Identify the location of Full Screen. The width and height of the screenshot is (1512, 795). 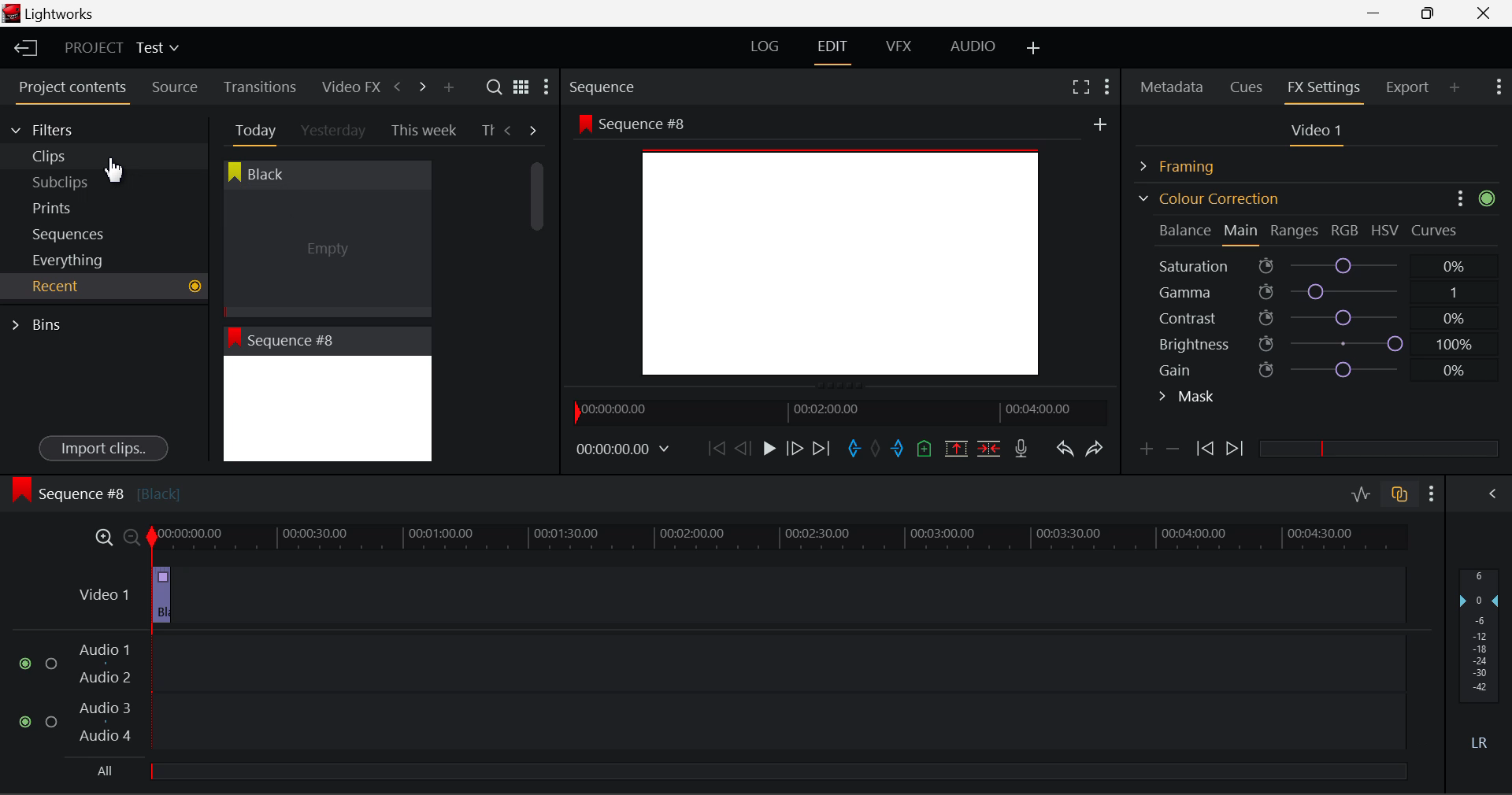
(1080, 86).